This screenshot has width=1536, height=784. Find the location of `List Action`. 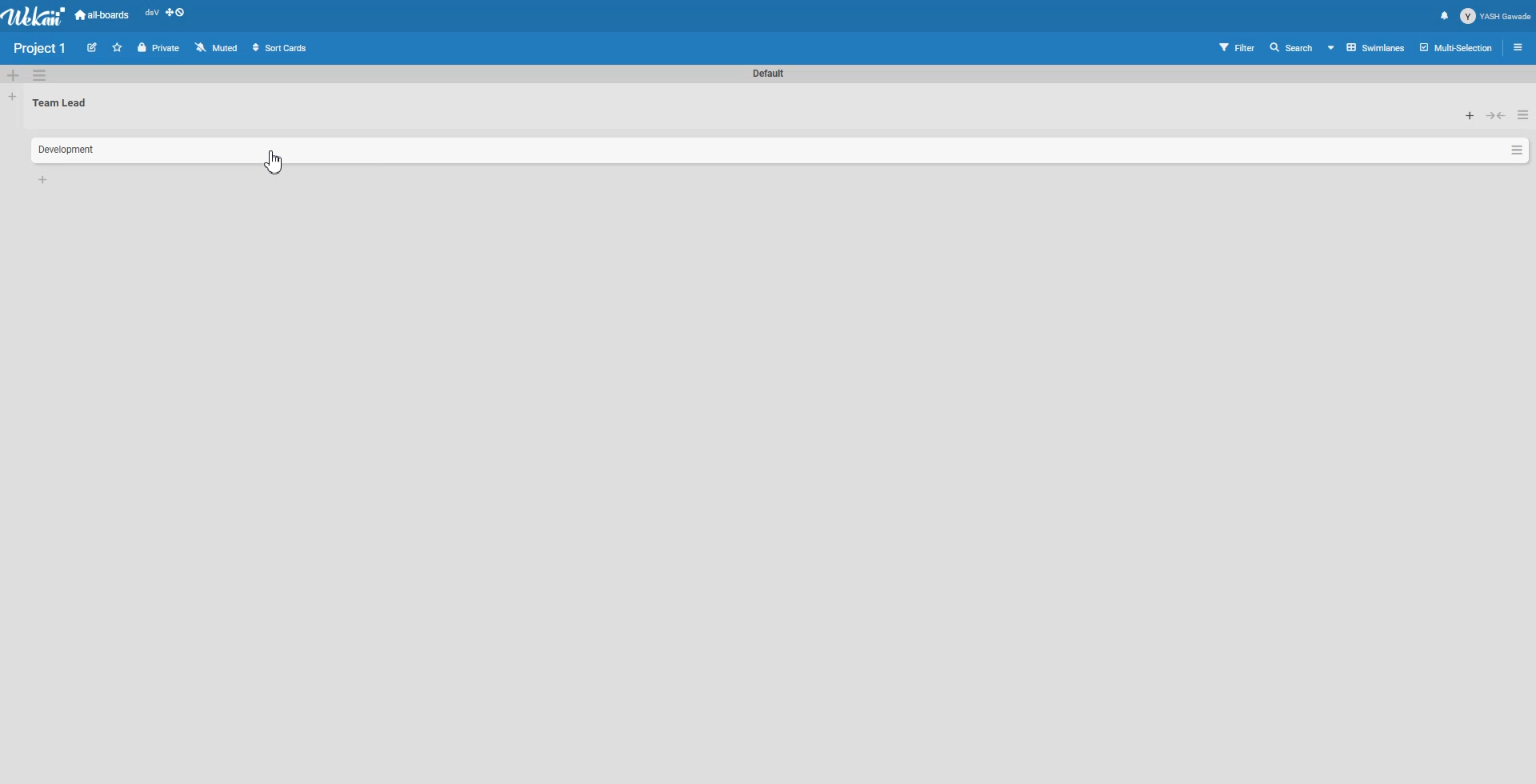

List Action is located at coordinates (1523, 115).